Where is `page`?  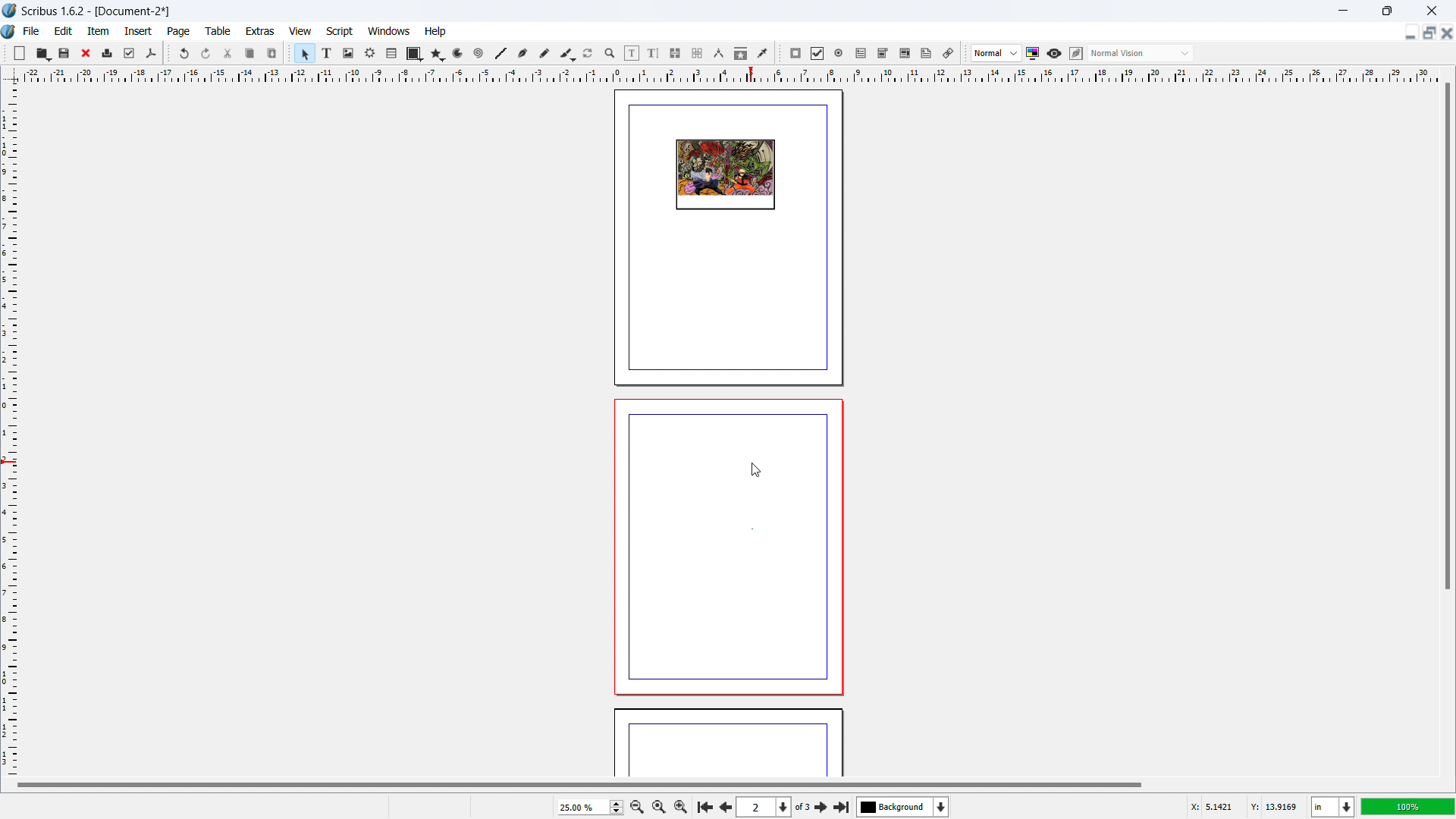
page is located at coordinates (728, 547).